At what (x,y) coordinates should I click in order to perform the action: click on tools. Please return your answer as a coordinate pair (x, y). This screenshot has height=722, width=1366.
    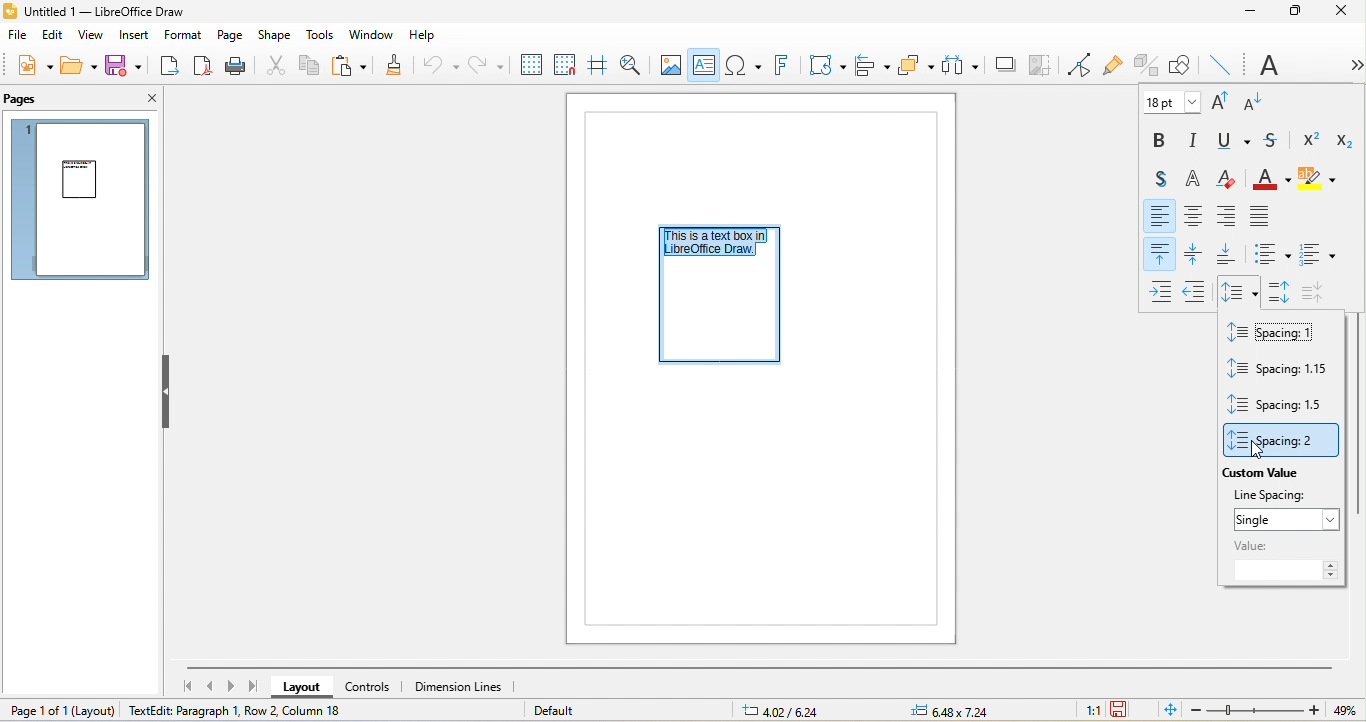
    Looking at the image, I should click on (320, 36).